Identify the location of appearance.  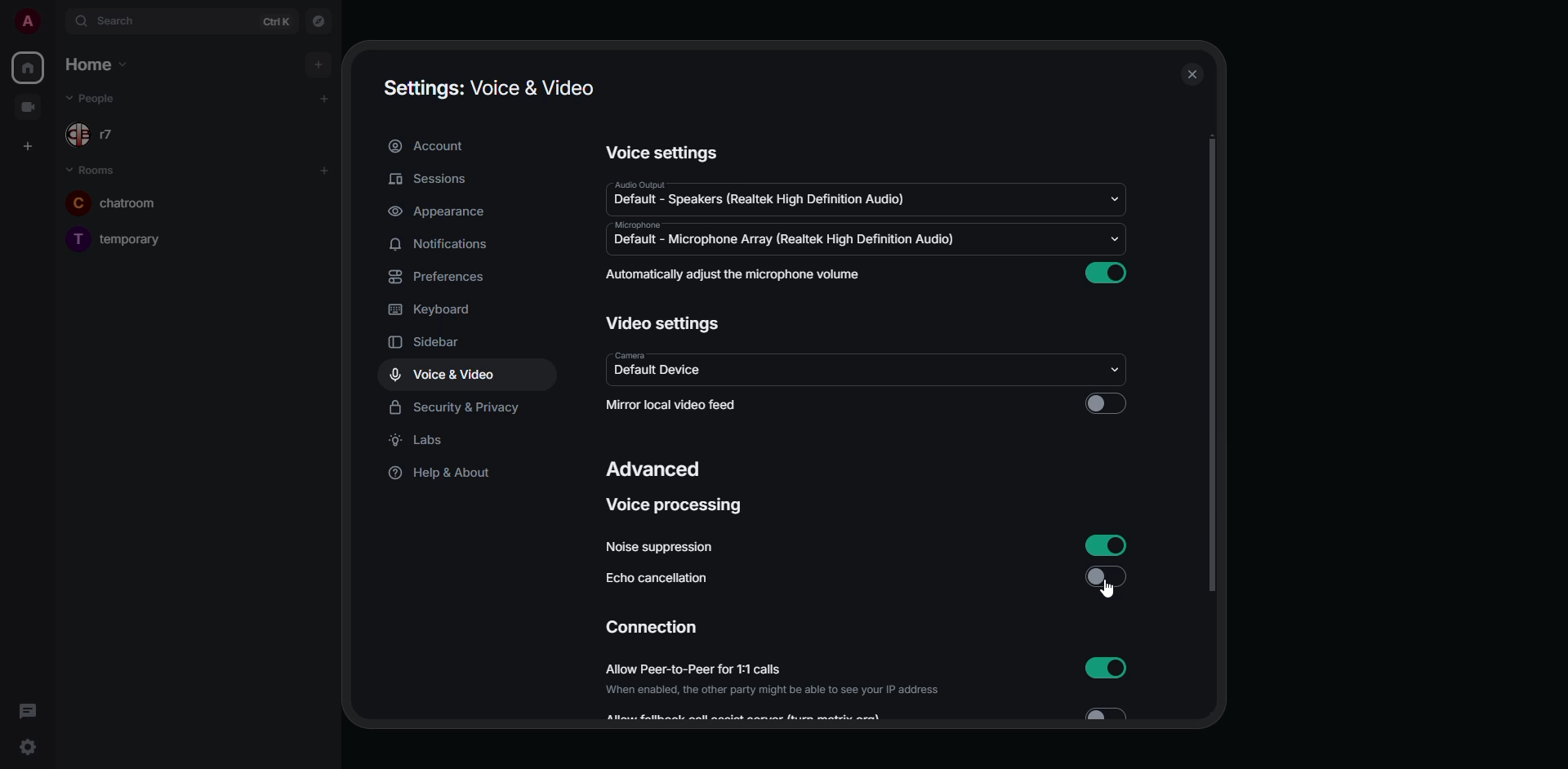
(437, 211).